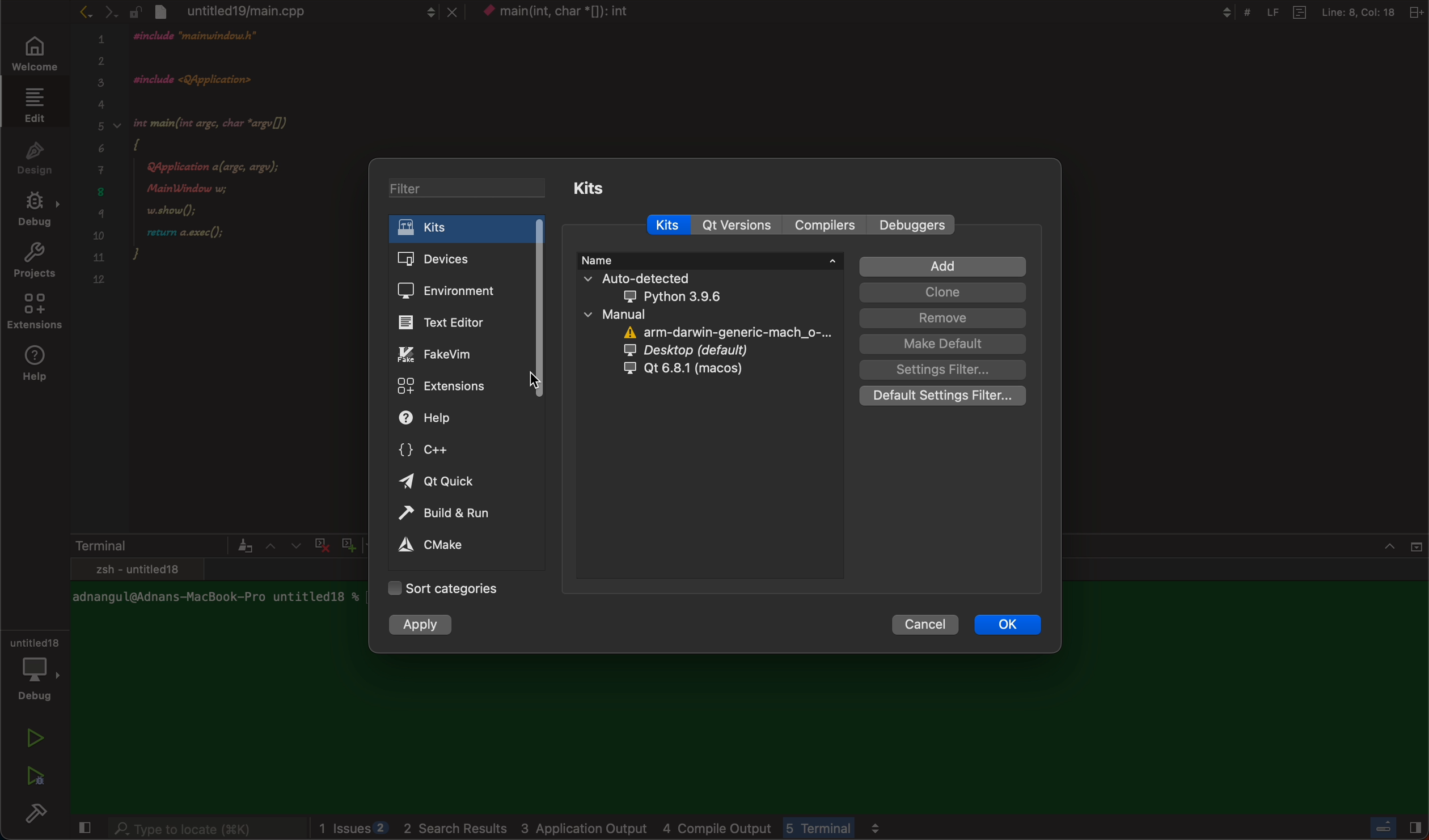 This screenshot has height=840, width=1429. I want to click on debugger, so click(34, 667).